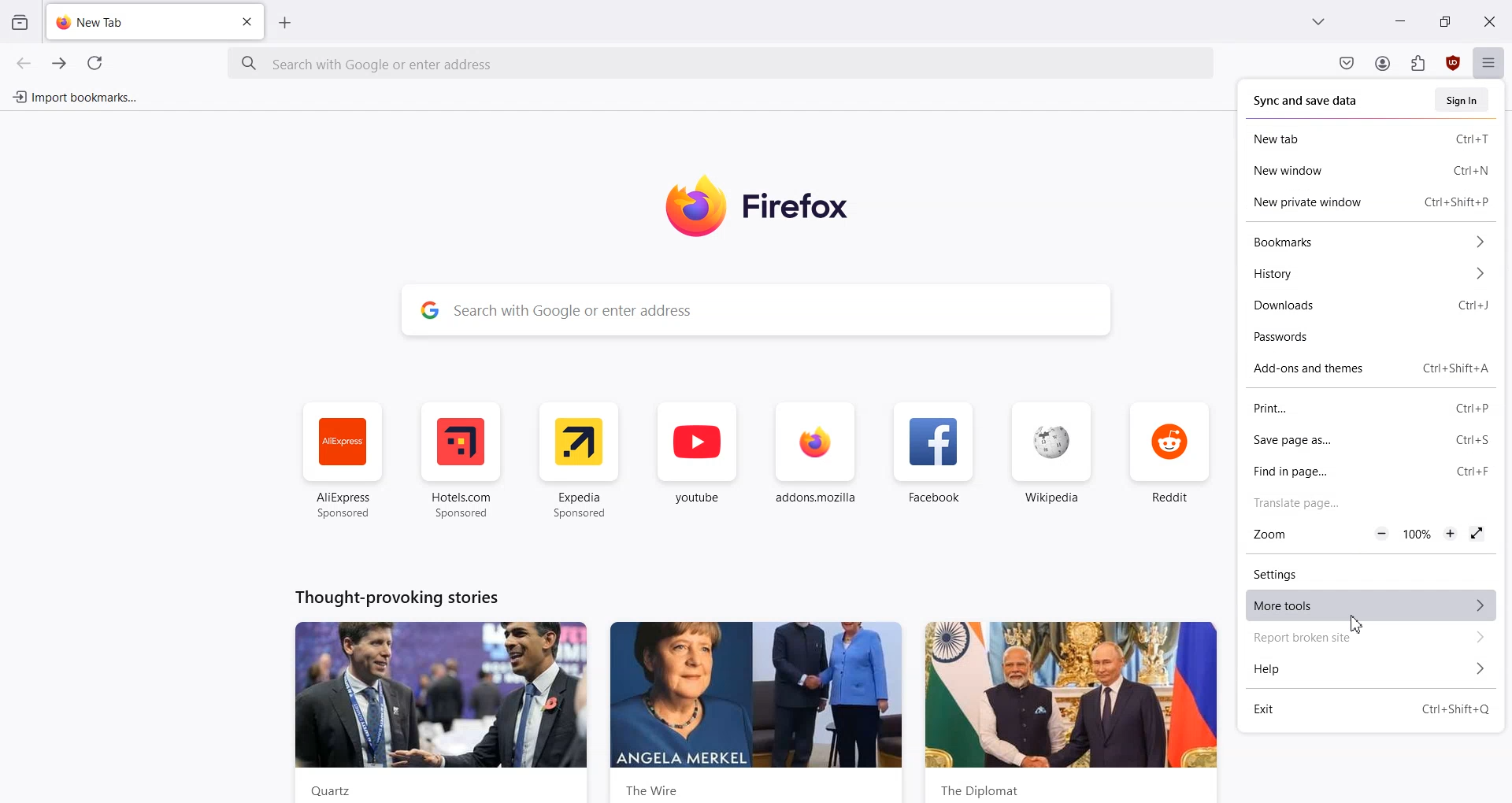 The width and height of the screenshot is (1512, 803). I want to click on Import bookmark, so click(74, 94).